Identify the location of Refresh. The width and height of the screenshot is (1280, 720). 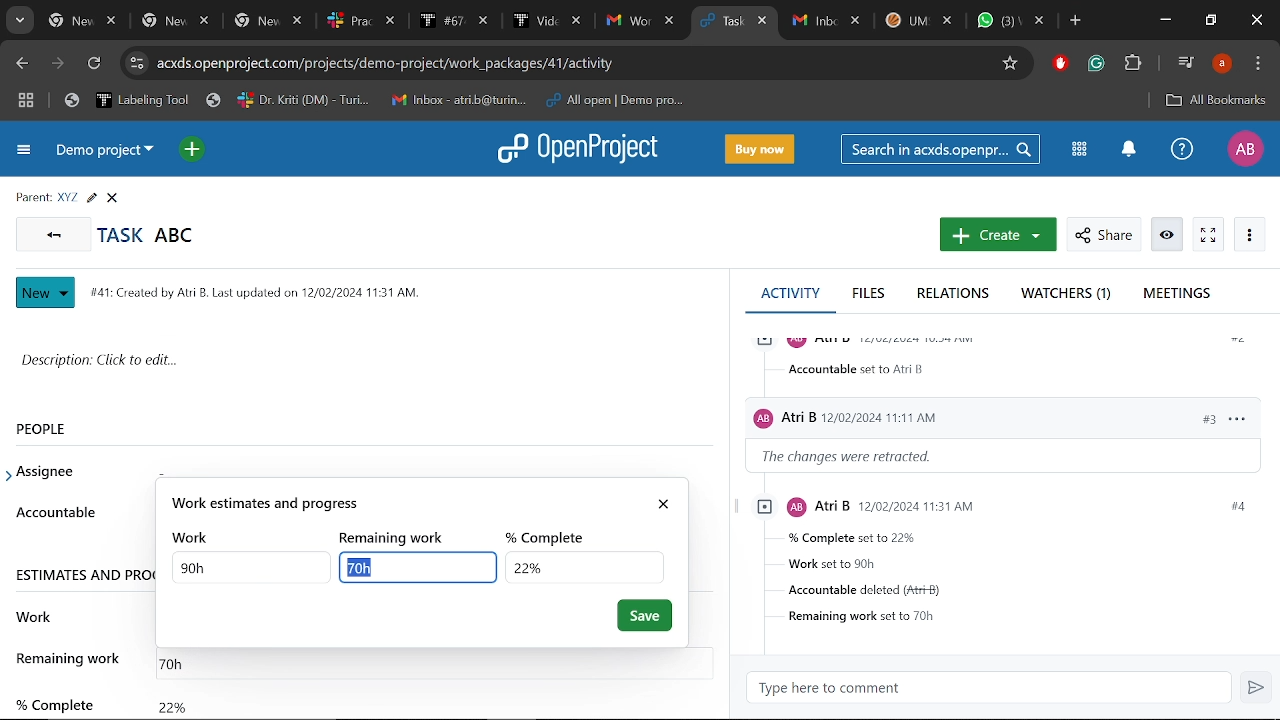
(93, 65).